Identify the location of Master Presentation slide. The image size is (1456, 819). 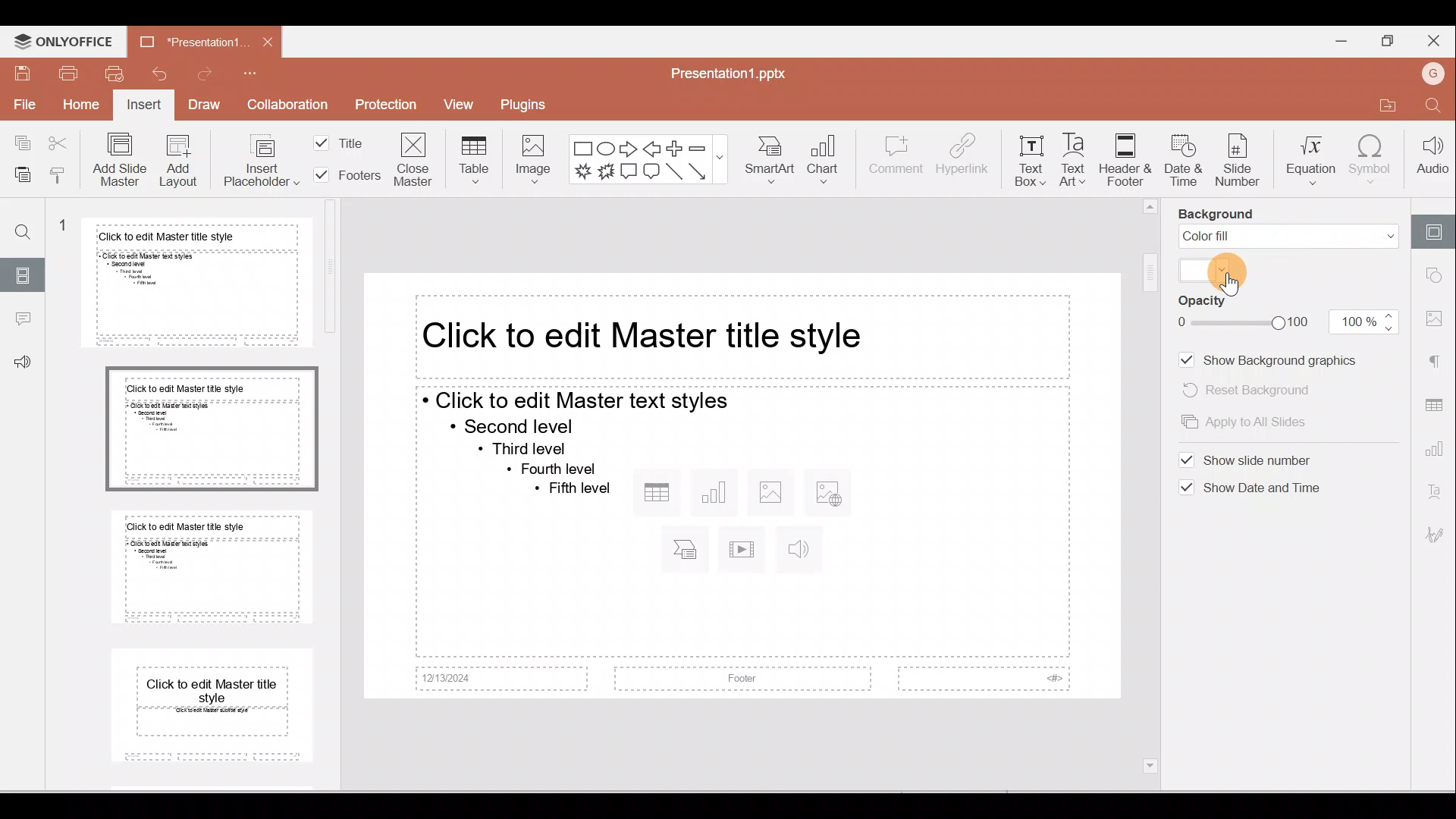
(742, 488).